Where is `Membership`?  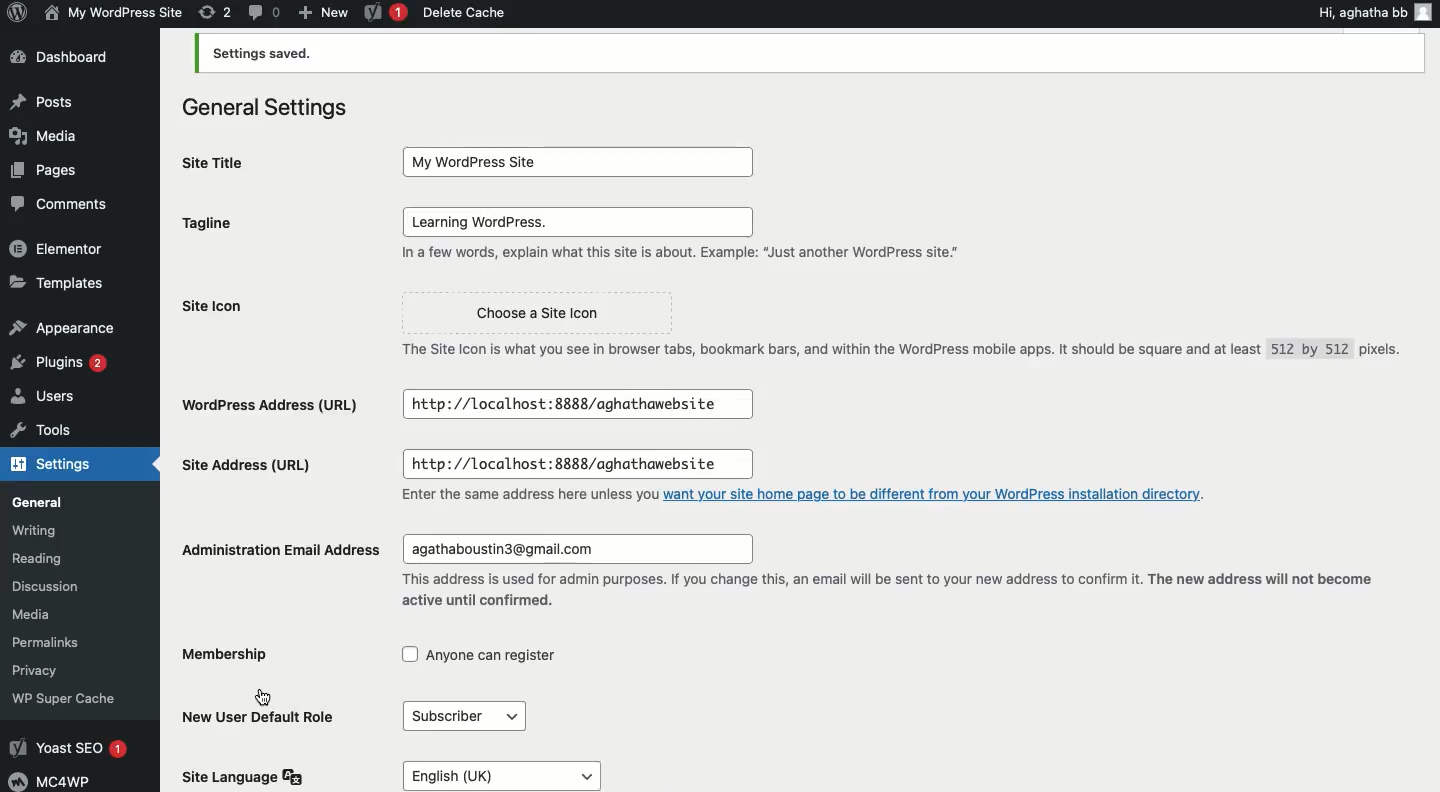 Membership is located at coordinates (228, 654).